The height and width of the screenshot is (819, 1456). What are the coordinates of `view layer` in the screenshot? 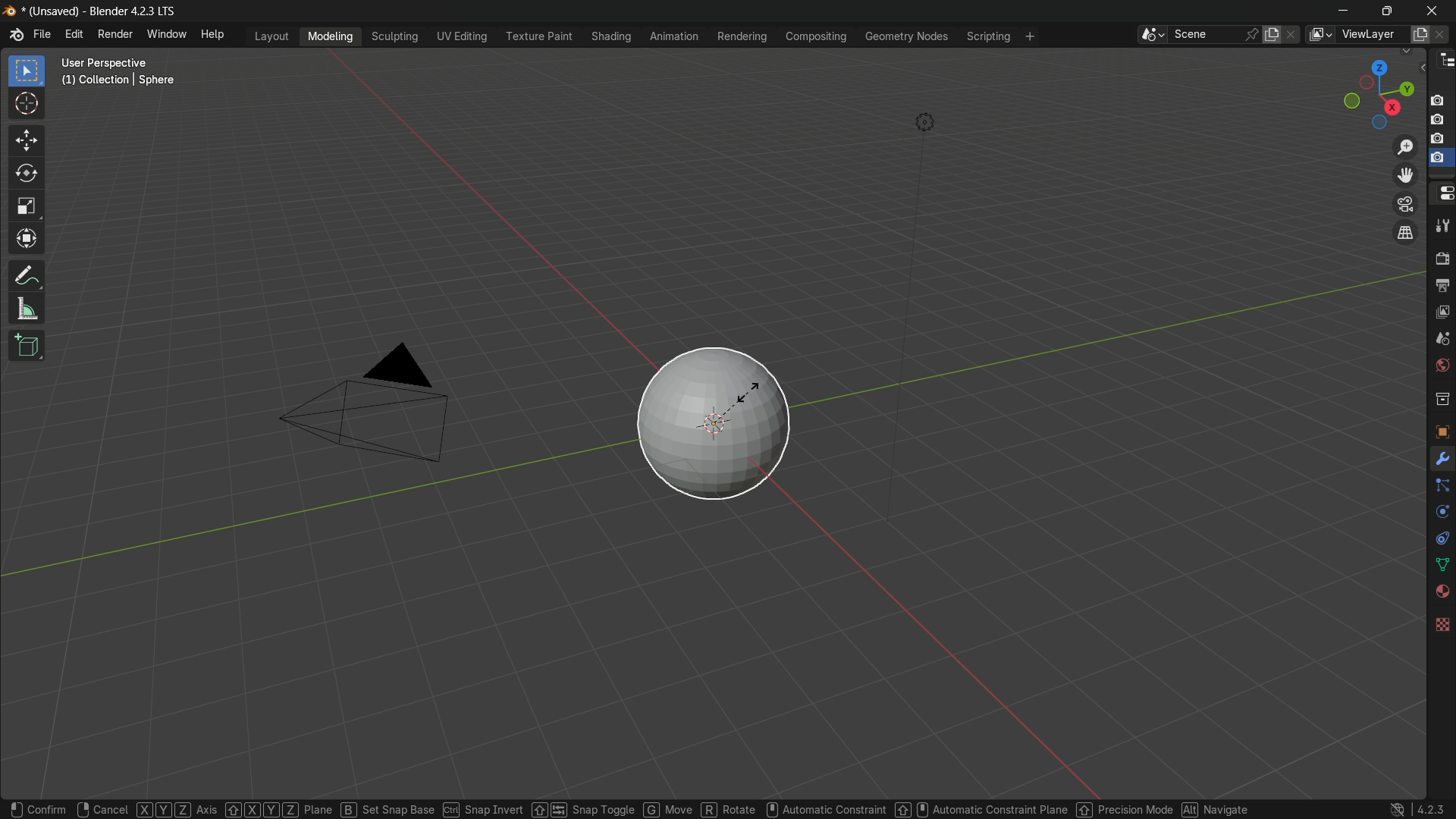 It's located at (1441, 313).